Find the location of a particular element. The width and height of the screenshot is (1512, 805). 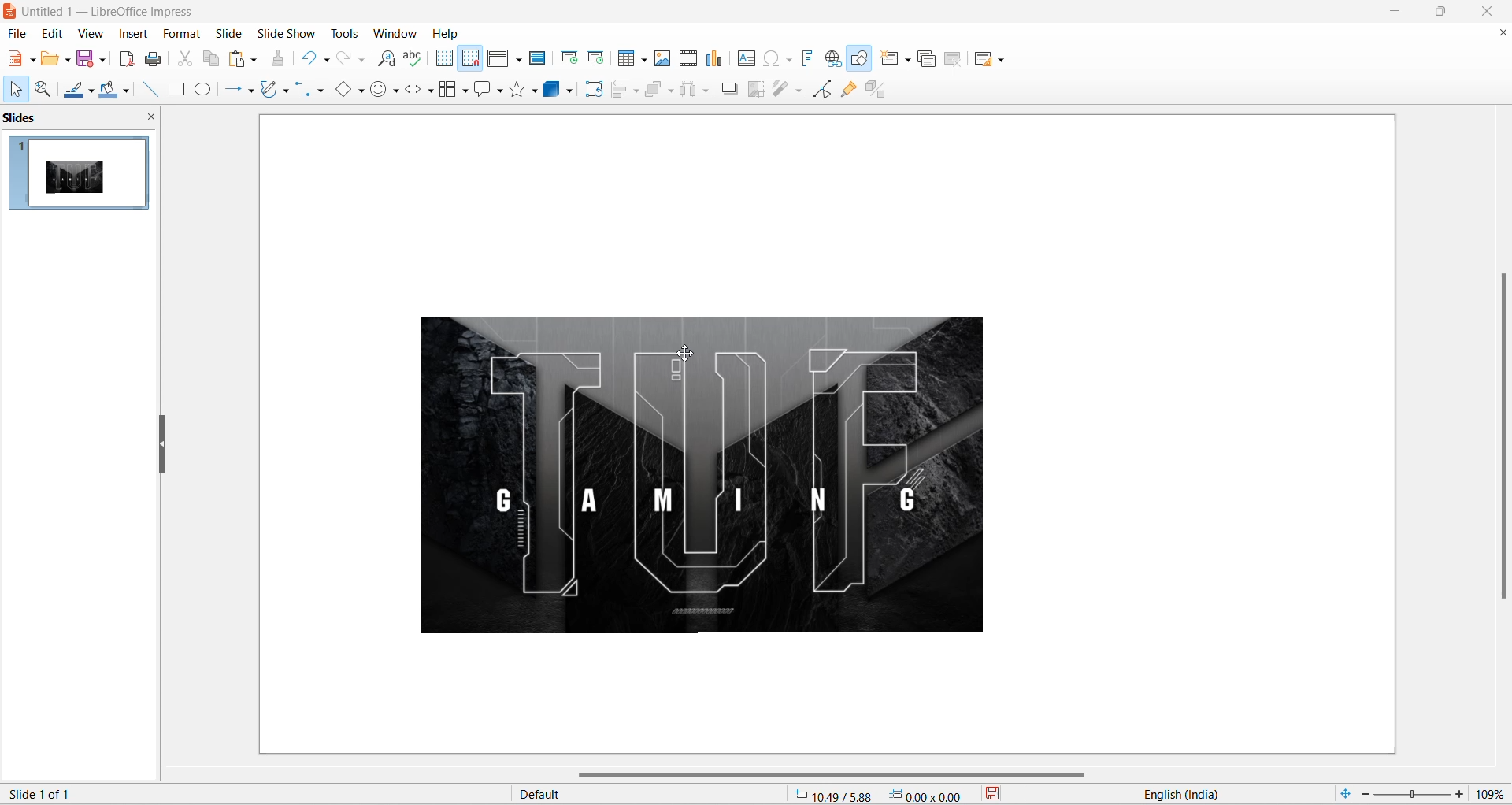

spelling is located at coordinates (413, 59).